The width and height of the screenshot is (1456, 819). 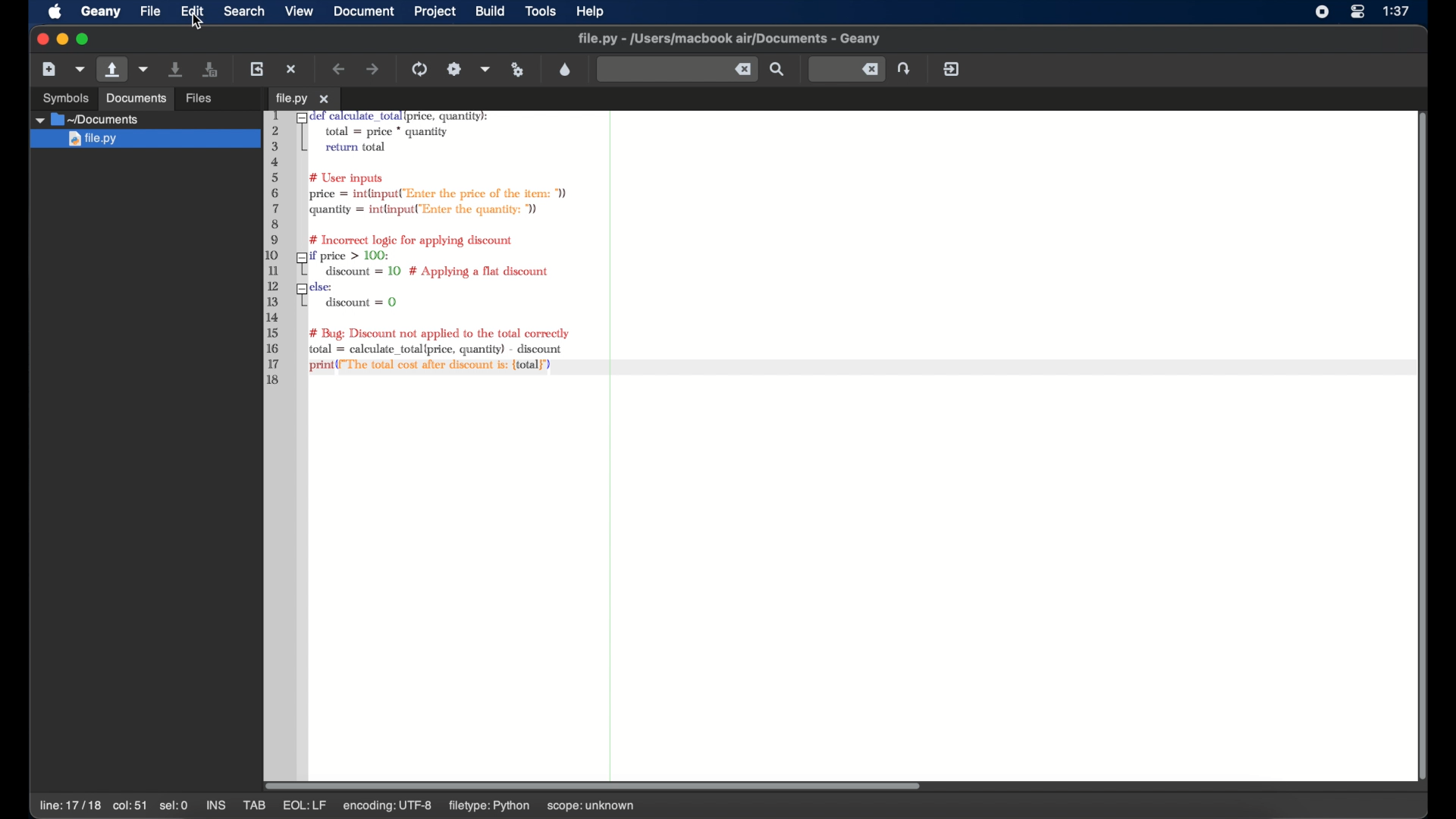 What do you see at coordinates (41, 39) in the screenshot?
I see `close` at bounding box center [41, 39].